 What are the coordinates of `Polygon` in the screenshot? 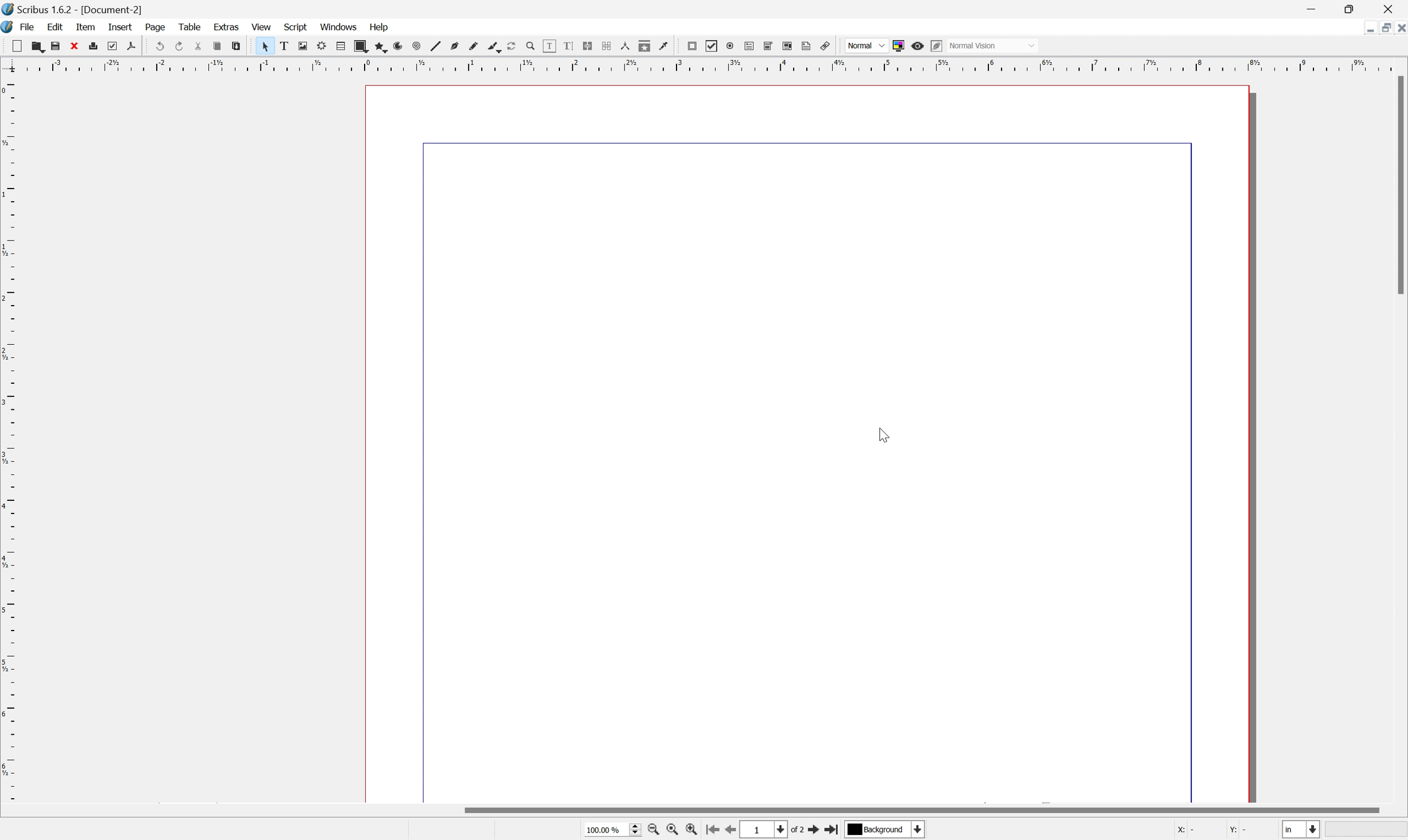 It's located at (378, 46).